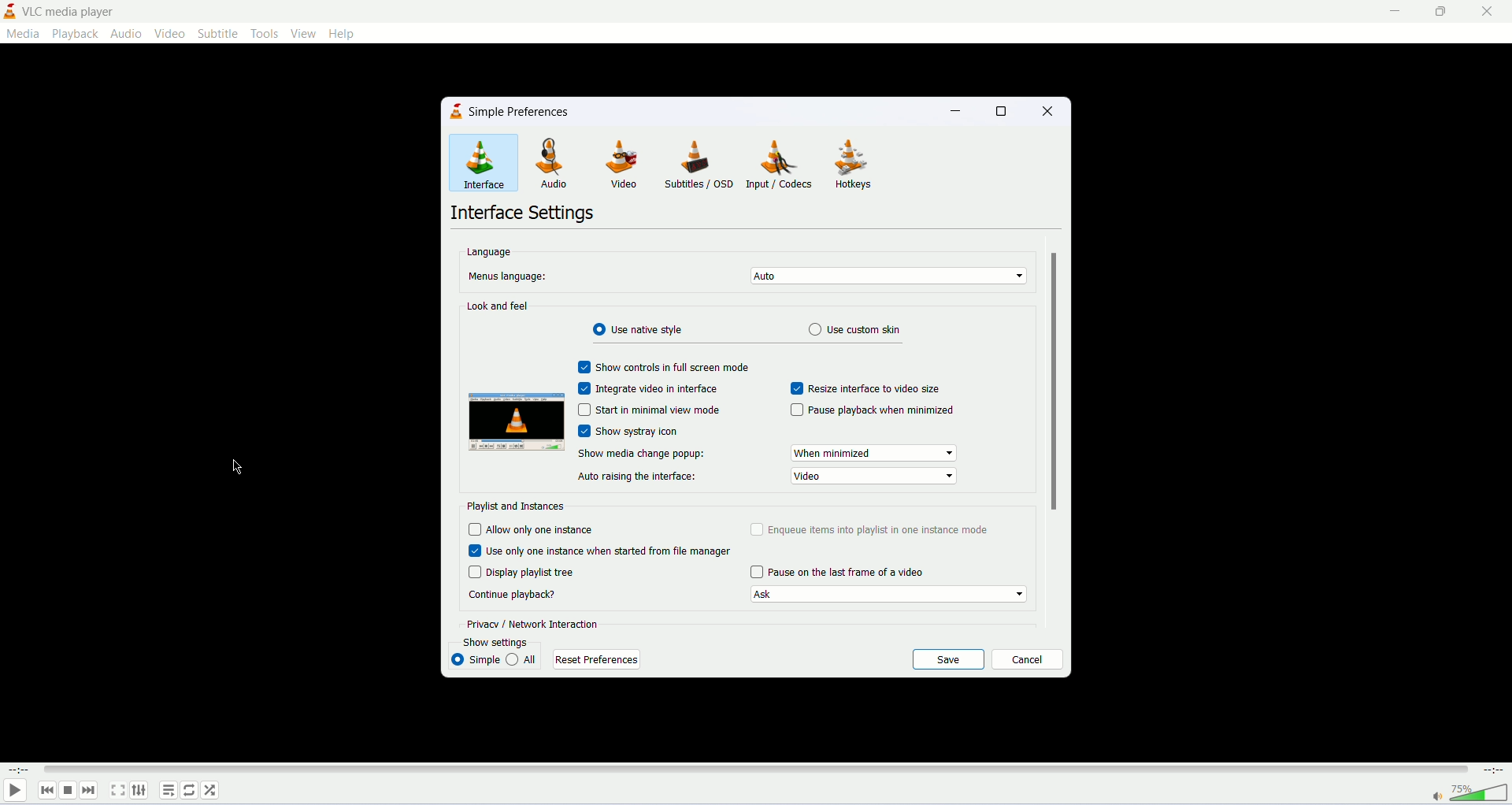  I want to click on privacy/ Network interaction, so click(532, 624).